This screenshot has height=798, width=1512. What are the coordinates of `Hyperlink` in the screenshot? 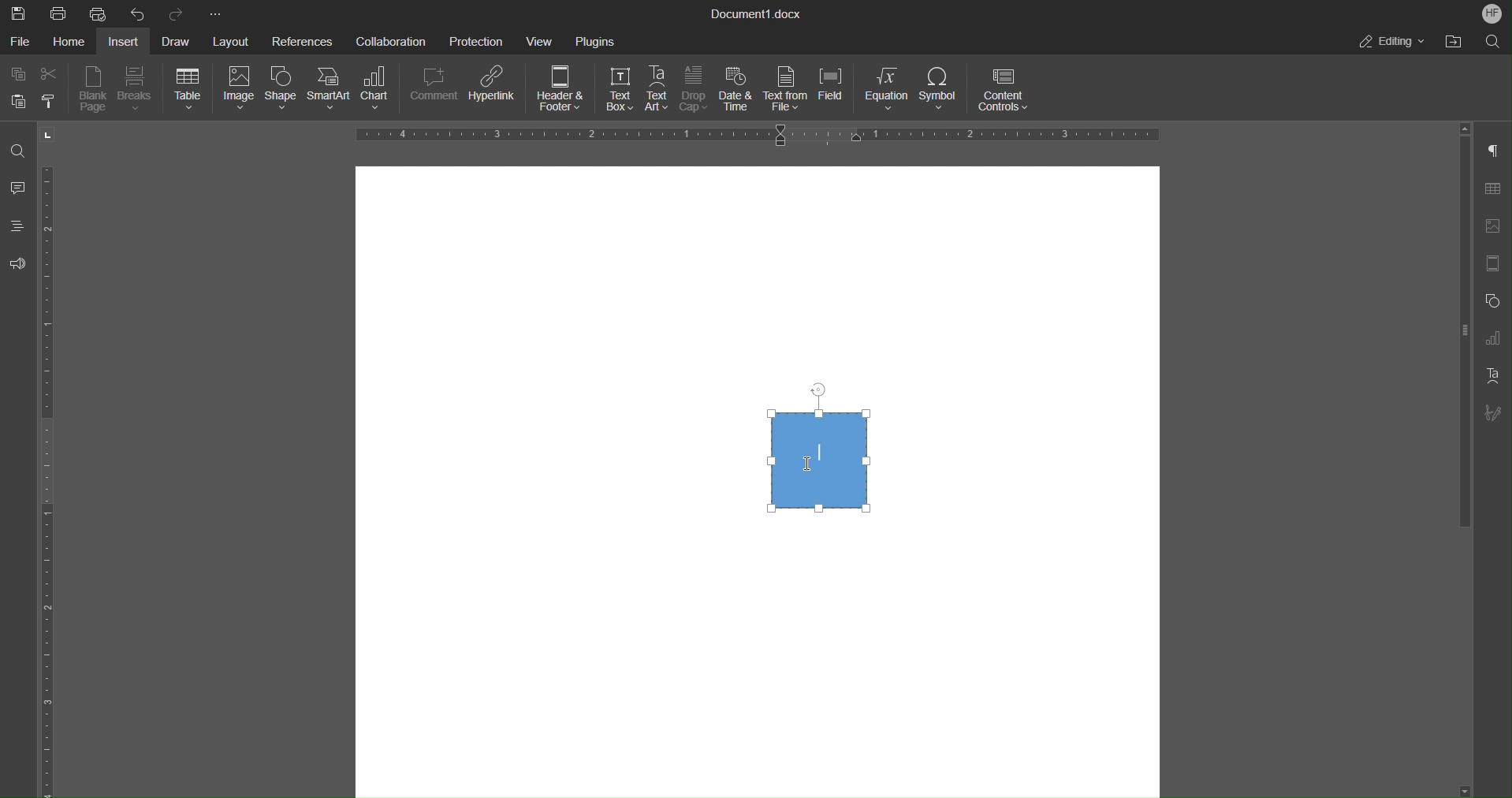 It's located at (495, 91).